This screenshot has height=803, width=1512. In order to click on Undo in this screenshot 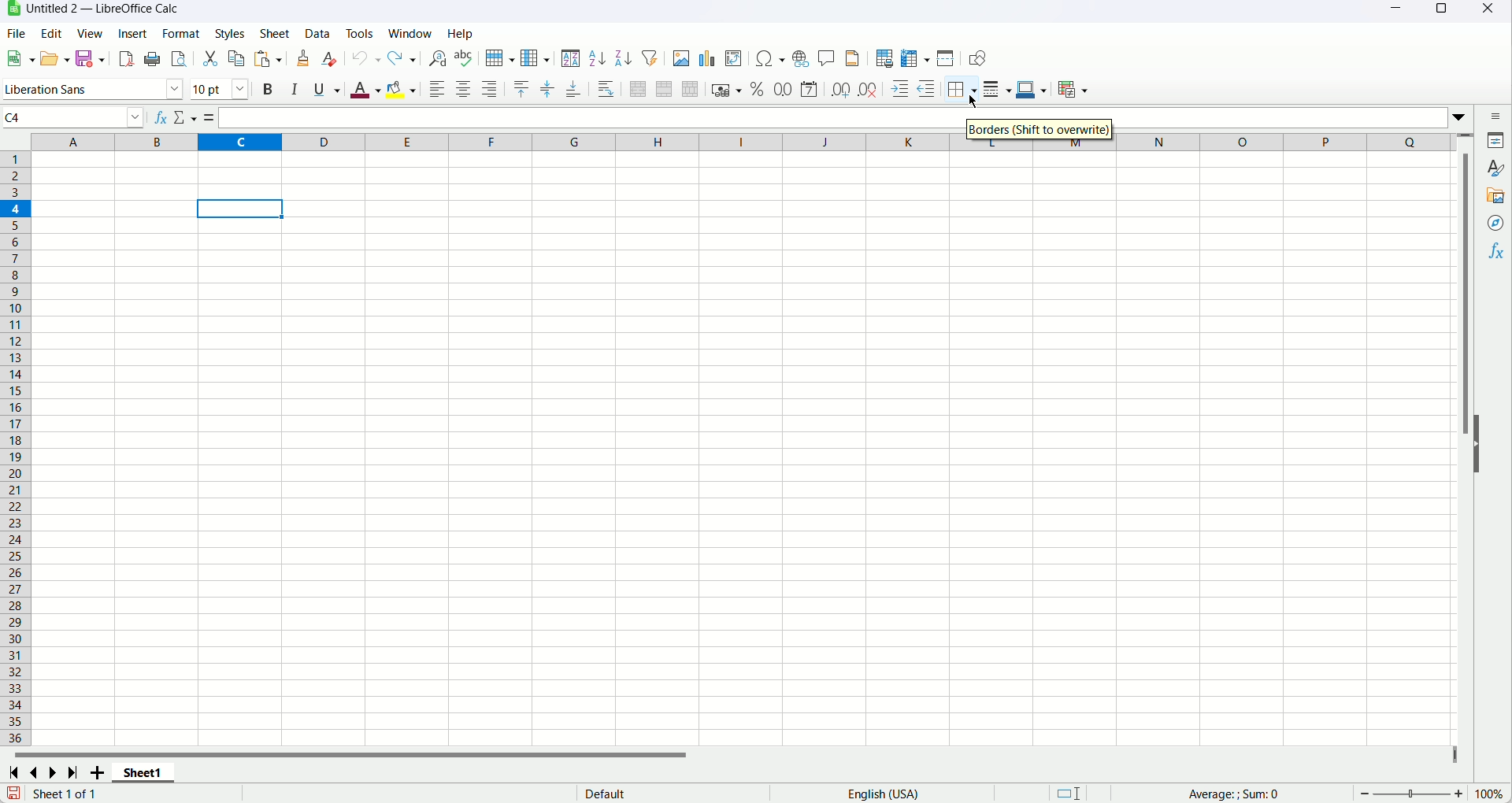, I will do `click(367, 57)`.